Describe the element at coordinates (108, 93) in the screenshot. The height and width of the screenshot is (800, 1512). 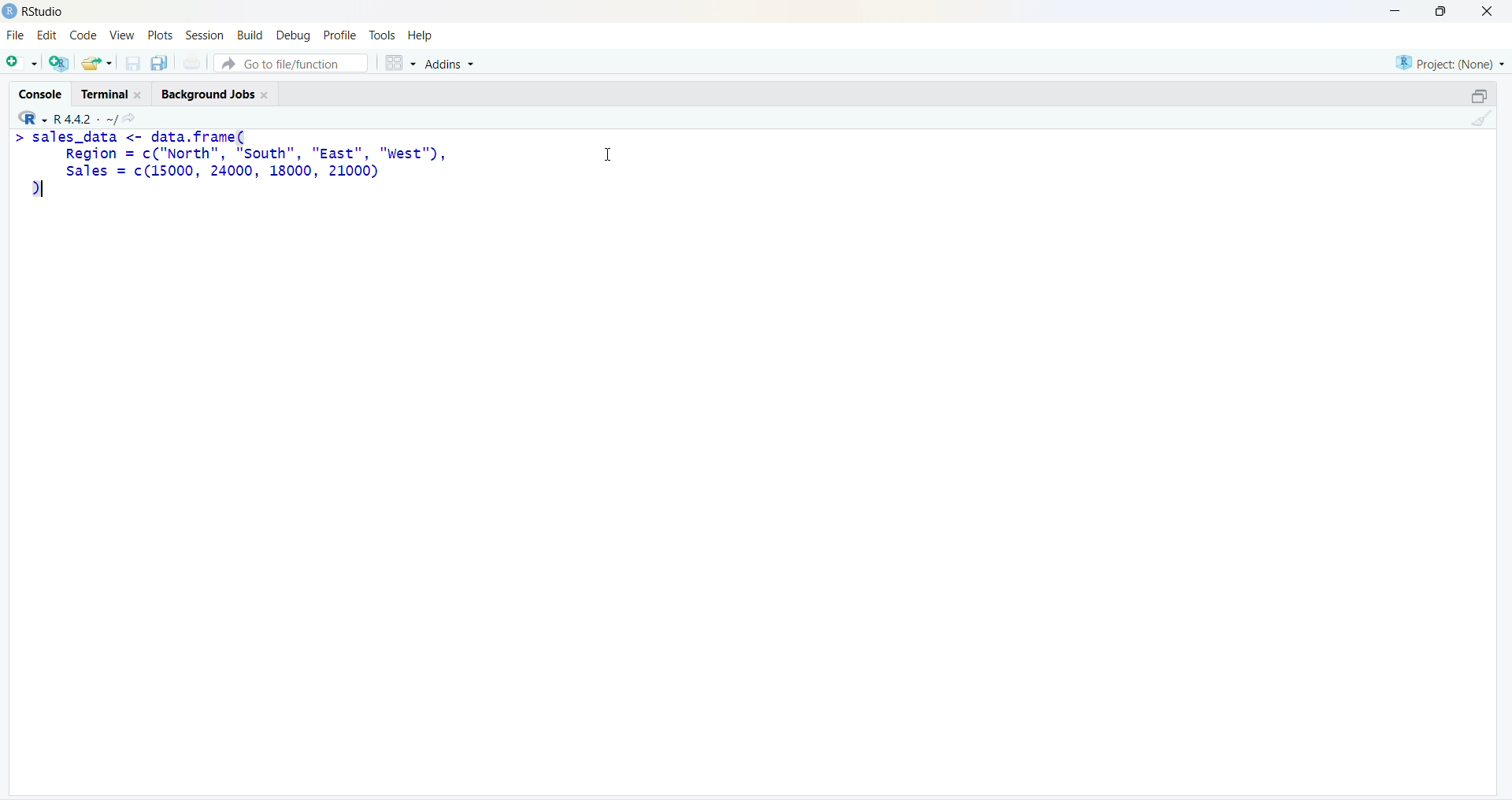
I see `Terminal` at that location.